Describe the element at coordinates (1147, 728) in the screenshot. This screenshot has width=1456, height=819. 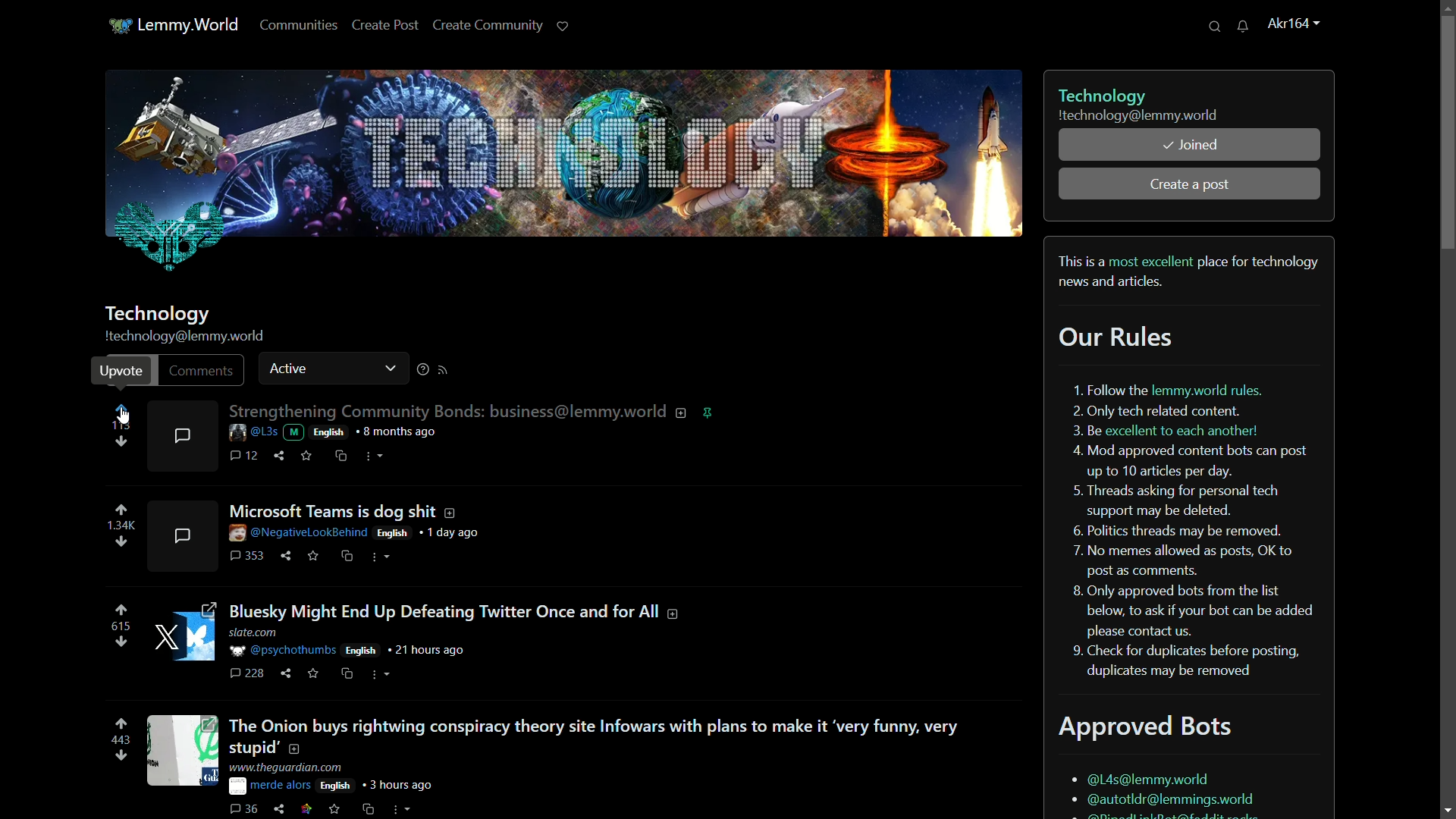
I see `approved bots` at that location.